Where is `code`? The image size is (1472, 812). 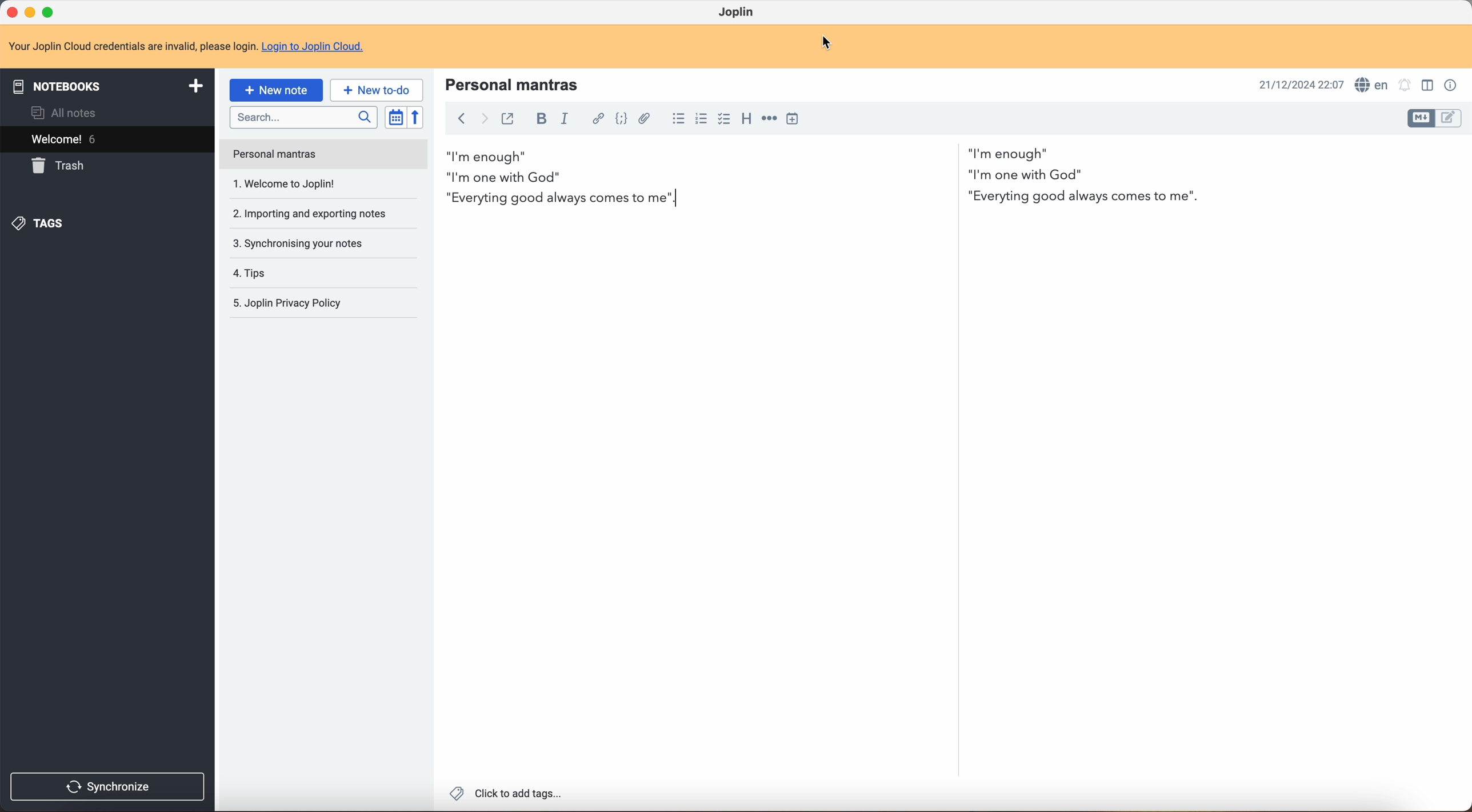 code is located at coordinates (622, 121).